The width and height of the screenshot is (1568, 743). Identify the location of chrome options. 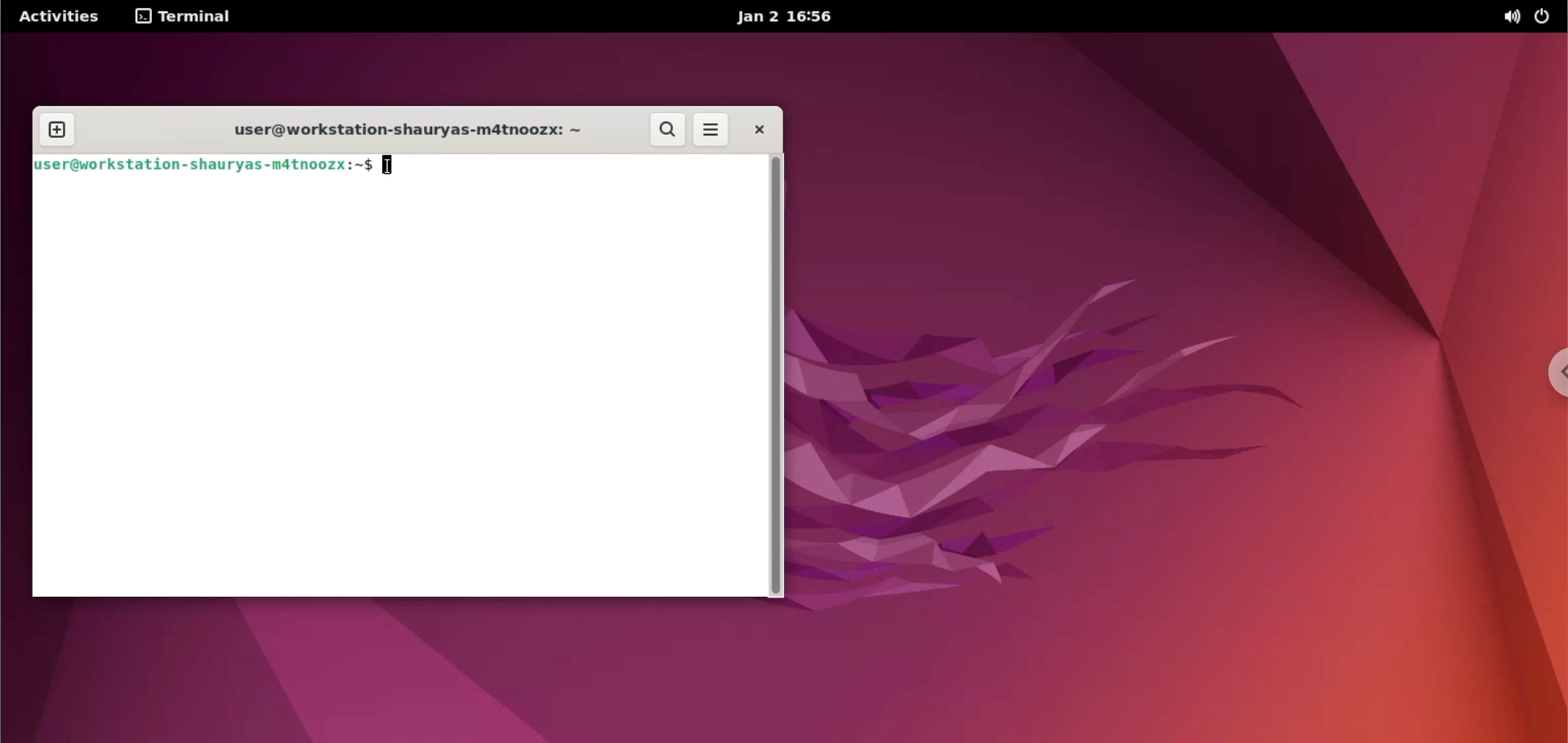
(1550, 380).